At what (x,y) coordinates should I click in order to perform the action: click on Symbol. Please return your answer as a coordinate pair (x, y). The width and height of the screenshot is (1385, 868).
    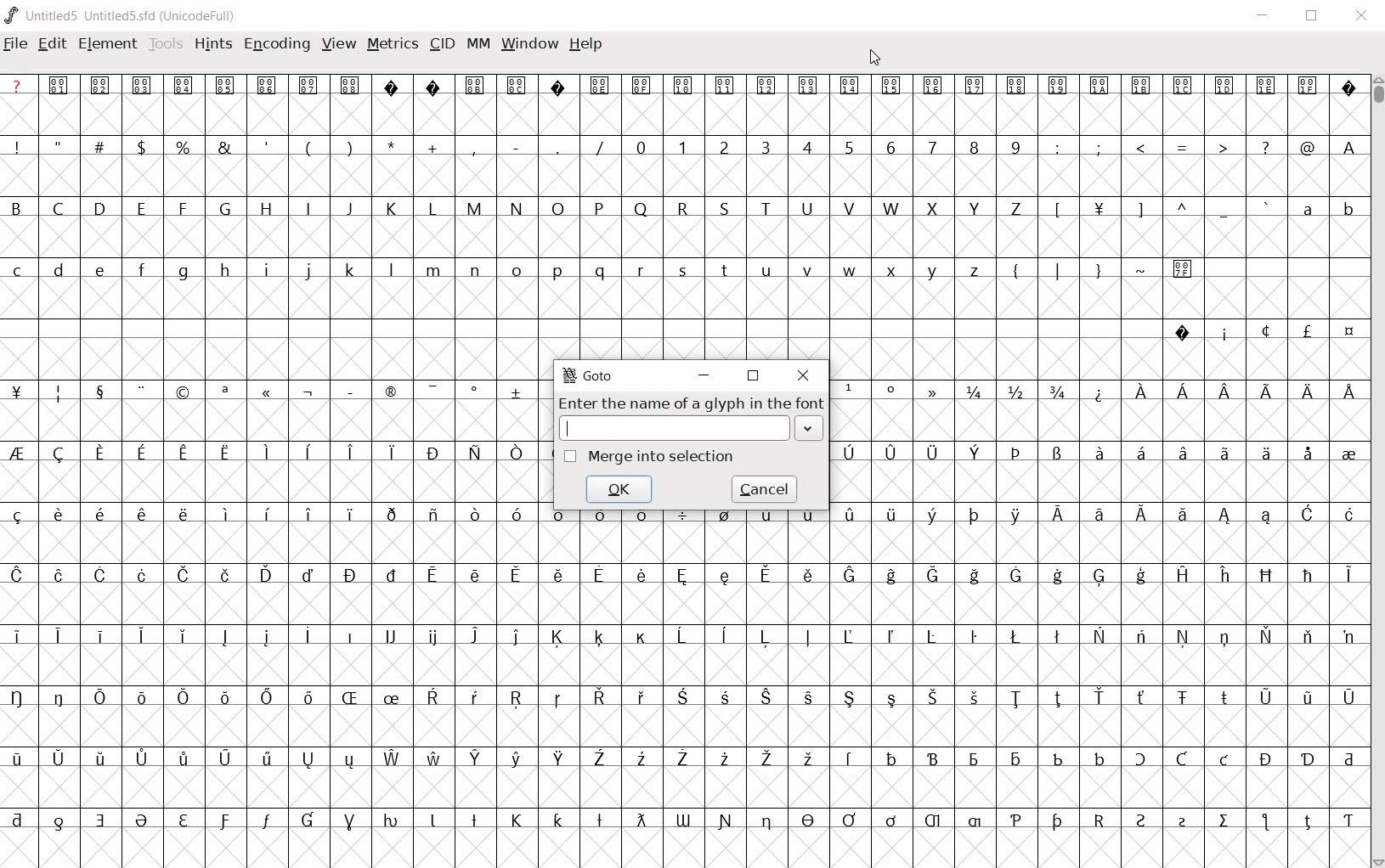
    Looking at the image, I should click on (684, 86).